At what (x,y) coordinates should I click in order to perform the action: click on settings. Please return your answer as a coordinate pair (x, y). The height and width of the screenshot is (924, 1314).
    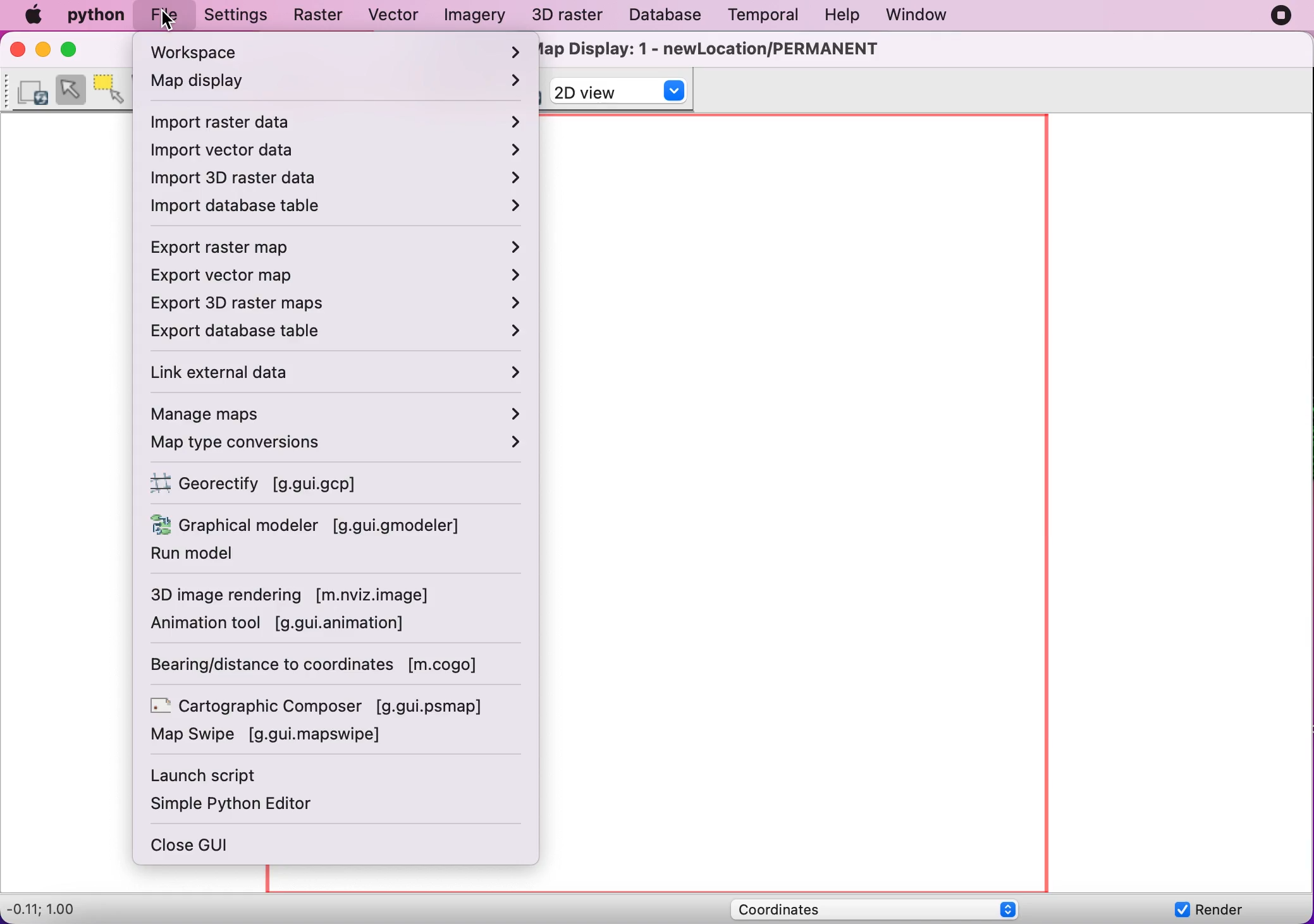
    Looking at the image, I should click on (242, 18).